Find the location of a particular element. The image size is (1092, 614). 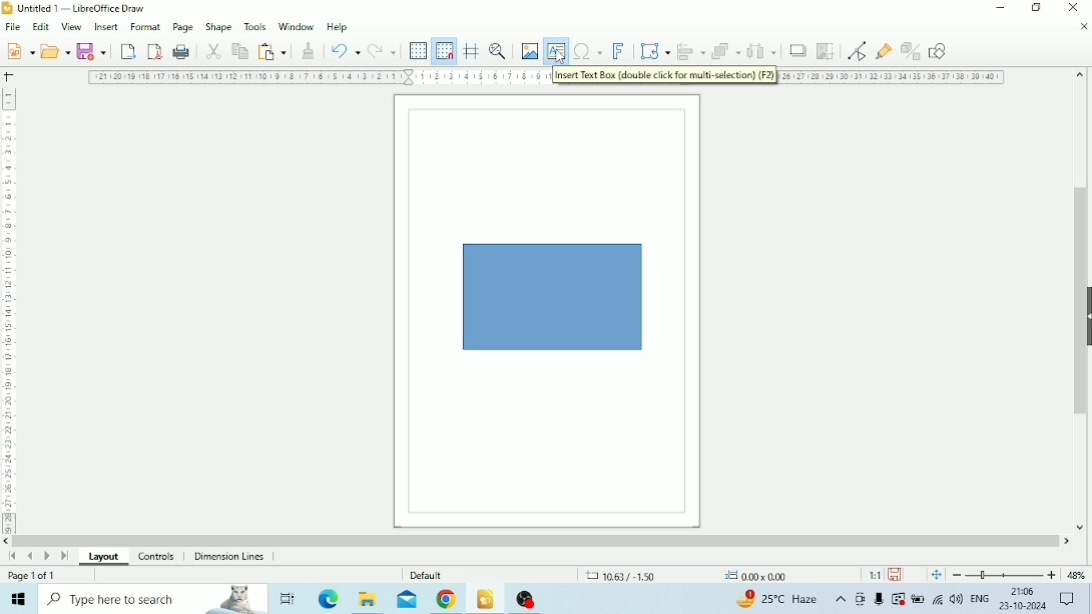

Open is located at coordinates (55, 51).